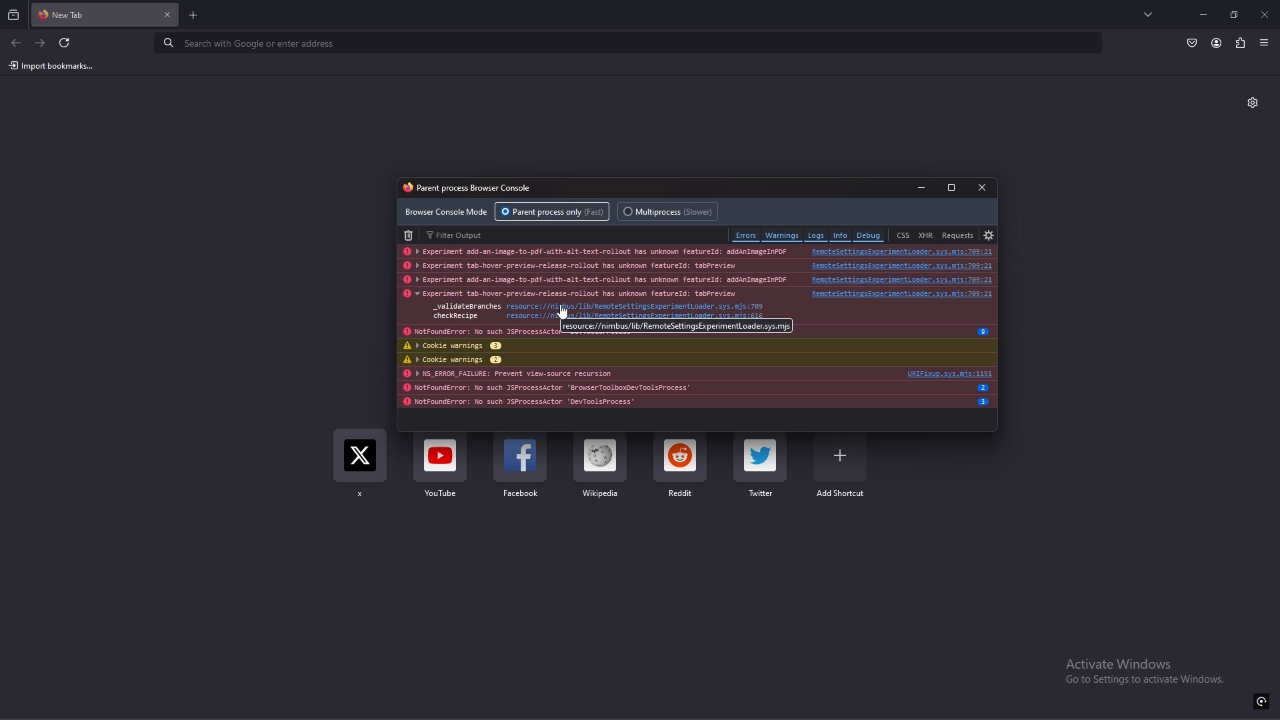  I want to click on logs, so click(816, 236).